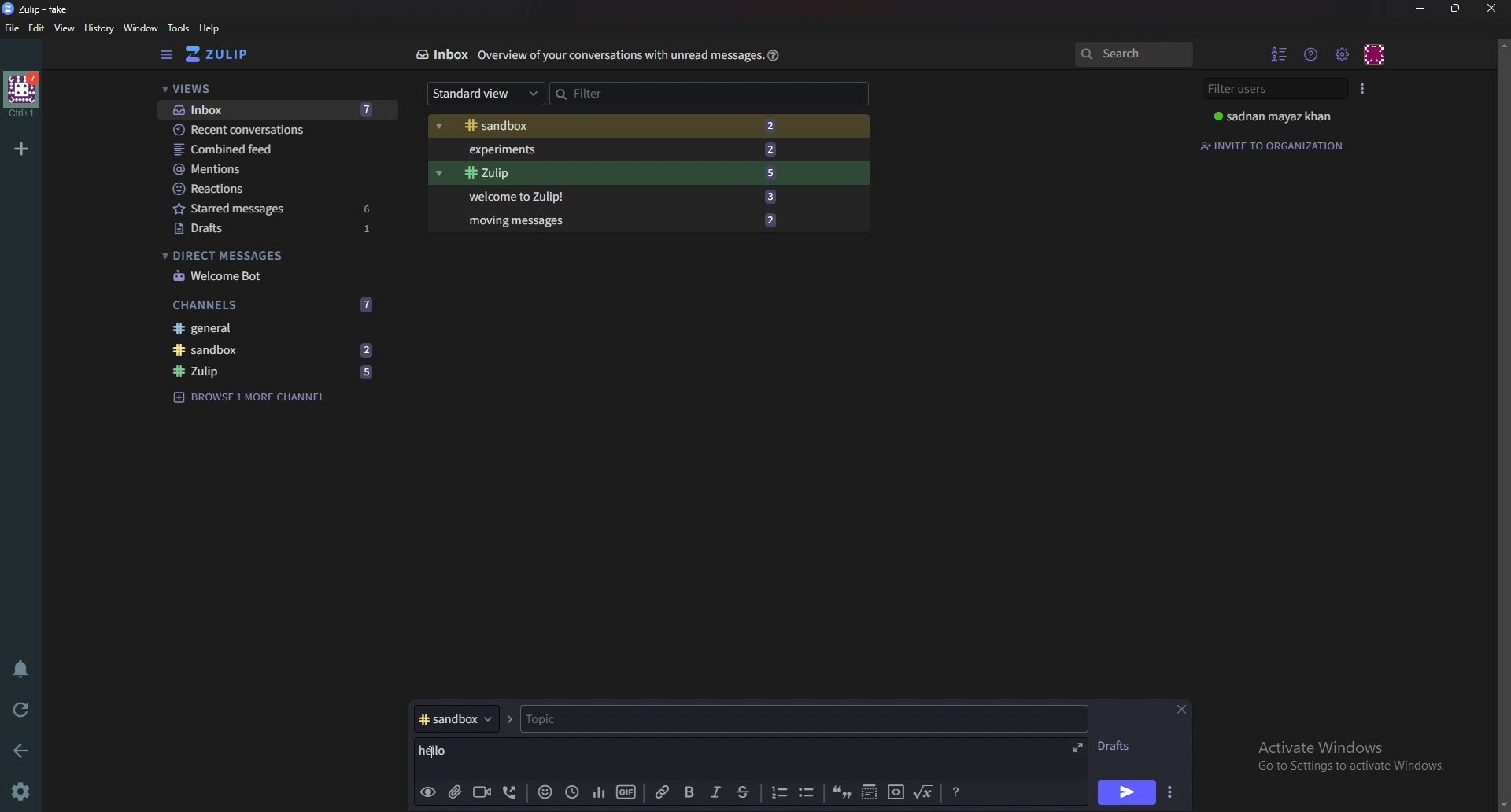 Image resolution: width=1511 pixels, height=812 pixels. I want to click on Emoji, so click(547, 792).